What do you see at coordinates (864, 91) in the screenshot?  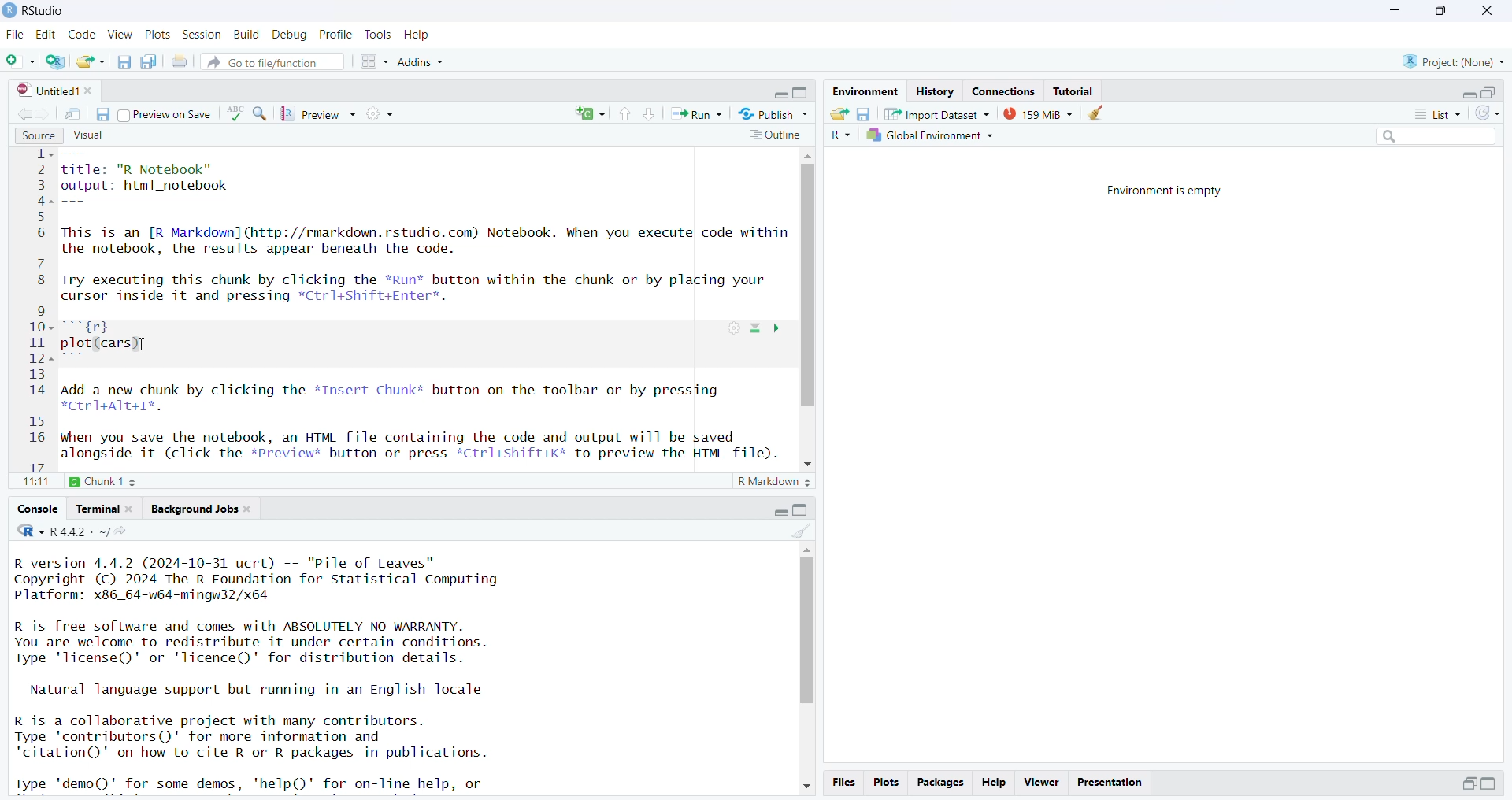 I see `environment` at bounding box center [864, 91].